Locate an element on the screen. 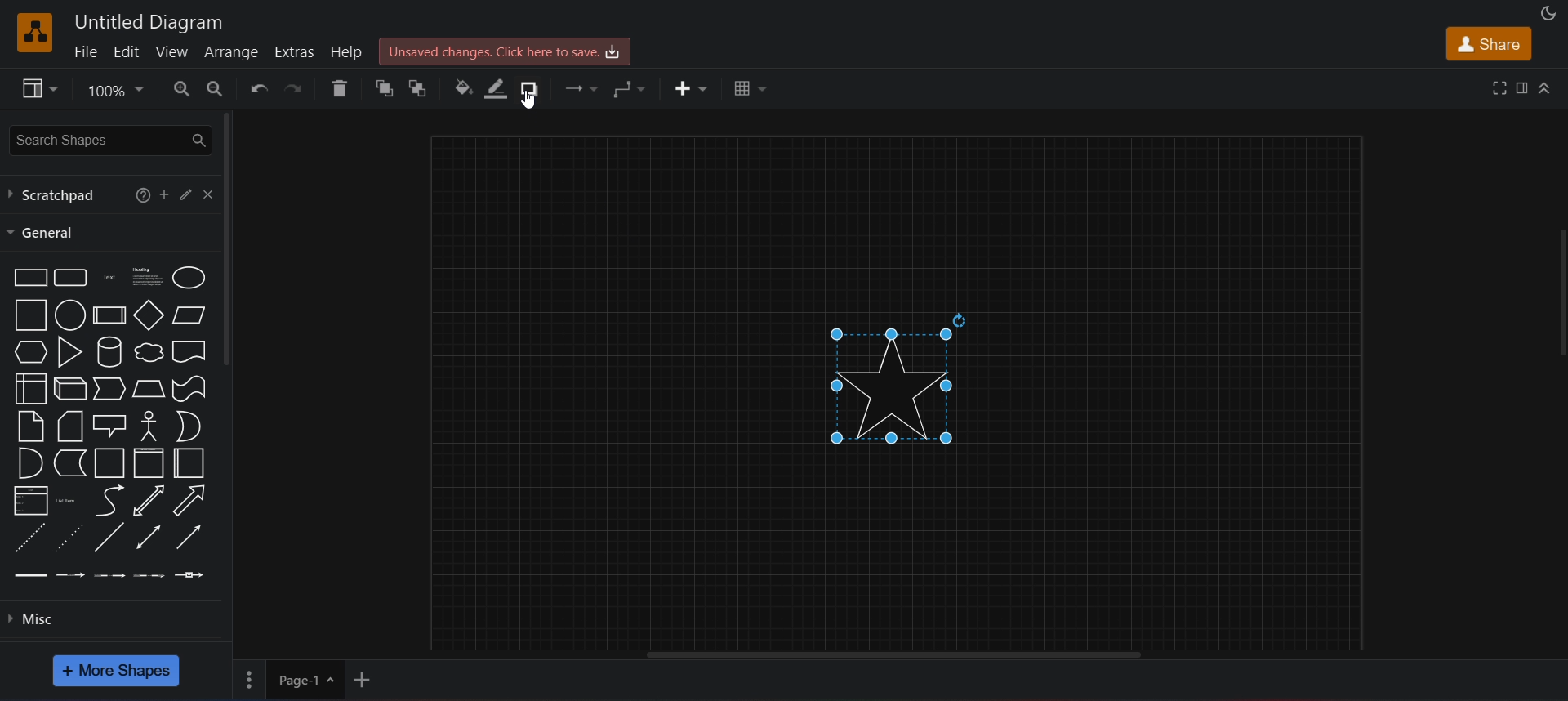 Image resolution: width=1568 pixels, height=701 pixels. horizontal container is located at coordinates (190, 463).